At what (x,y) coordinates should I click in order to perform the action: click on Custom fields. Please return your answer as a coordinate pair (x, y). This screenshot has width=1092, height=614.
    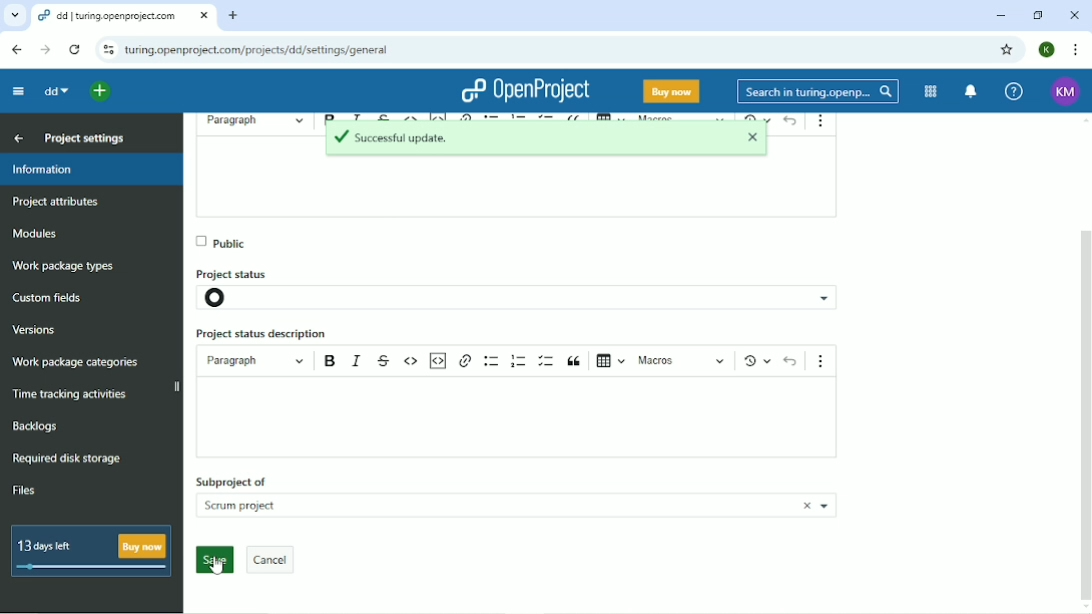
    Looking at the image, I should click on (51, 299).